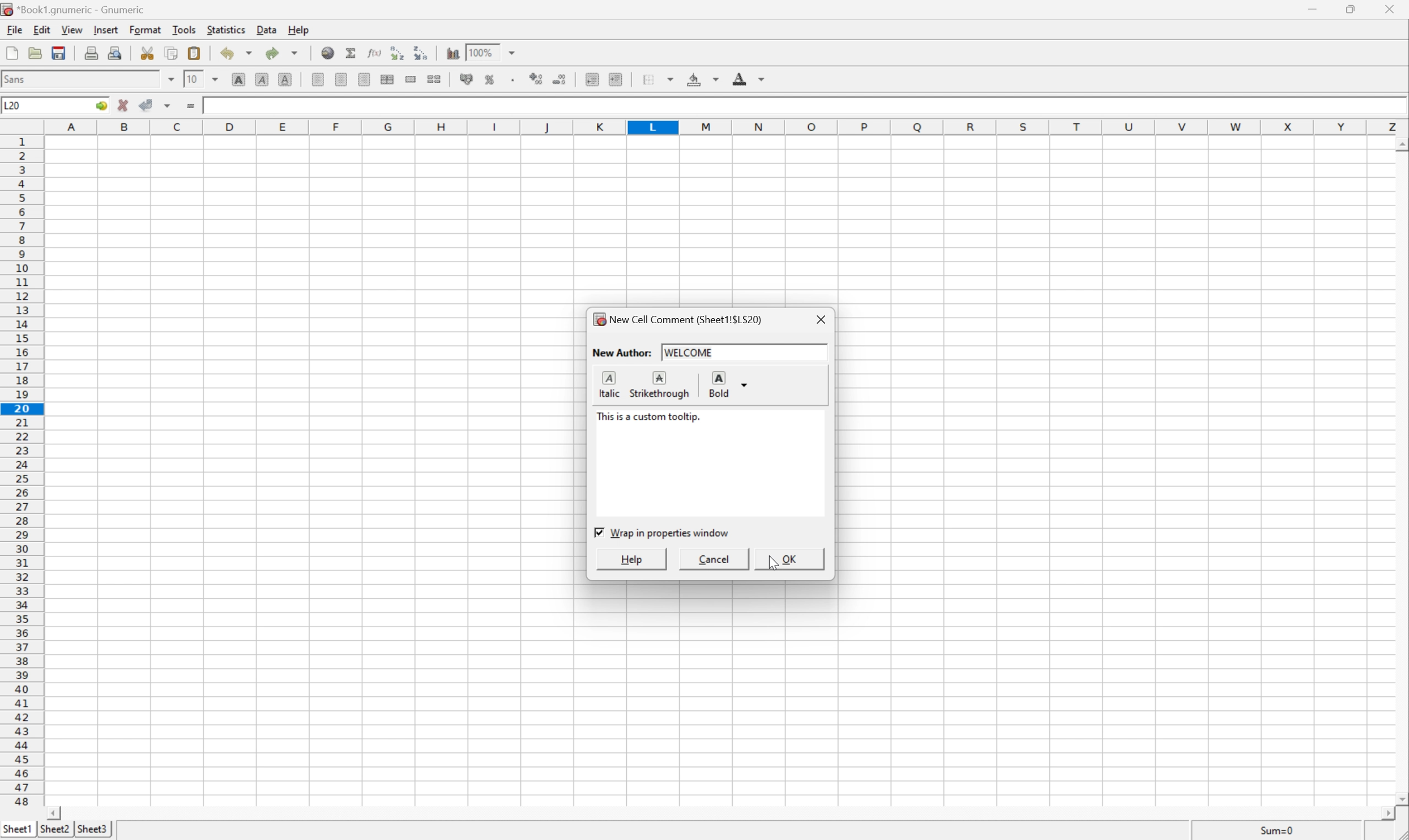 The image size is (1409, 840). What do you see at coordinates (649, 418) in the screenshot?
I see `This is a comment tooltip.` at bounding box center [649, 418].